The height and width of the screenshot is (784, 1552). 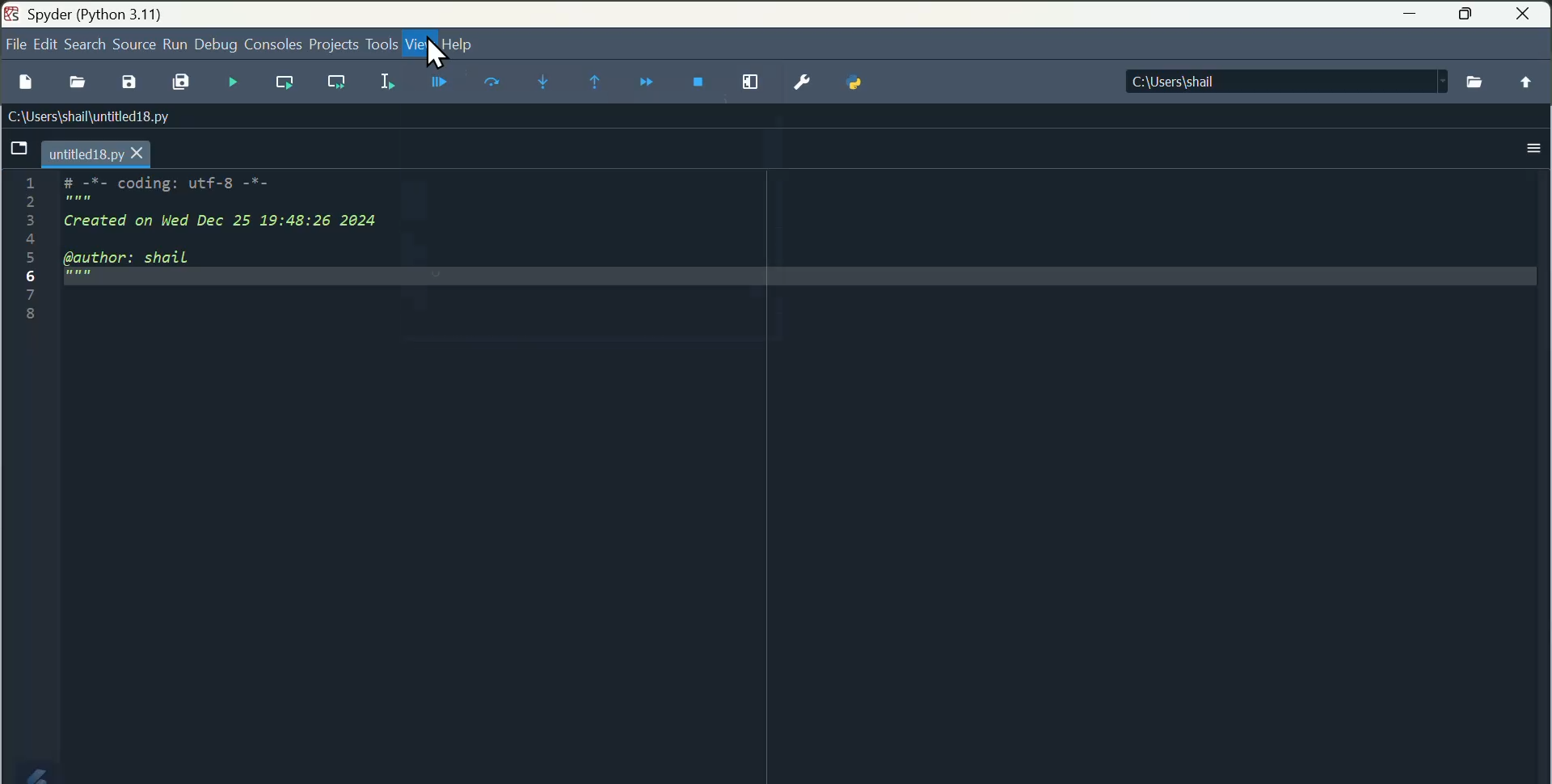 What do you see at coordinates (225, 265) in the screenshot?
I see `Code area` at bounding box center [225, 265].